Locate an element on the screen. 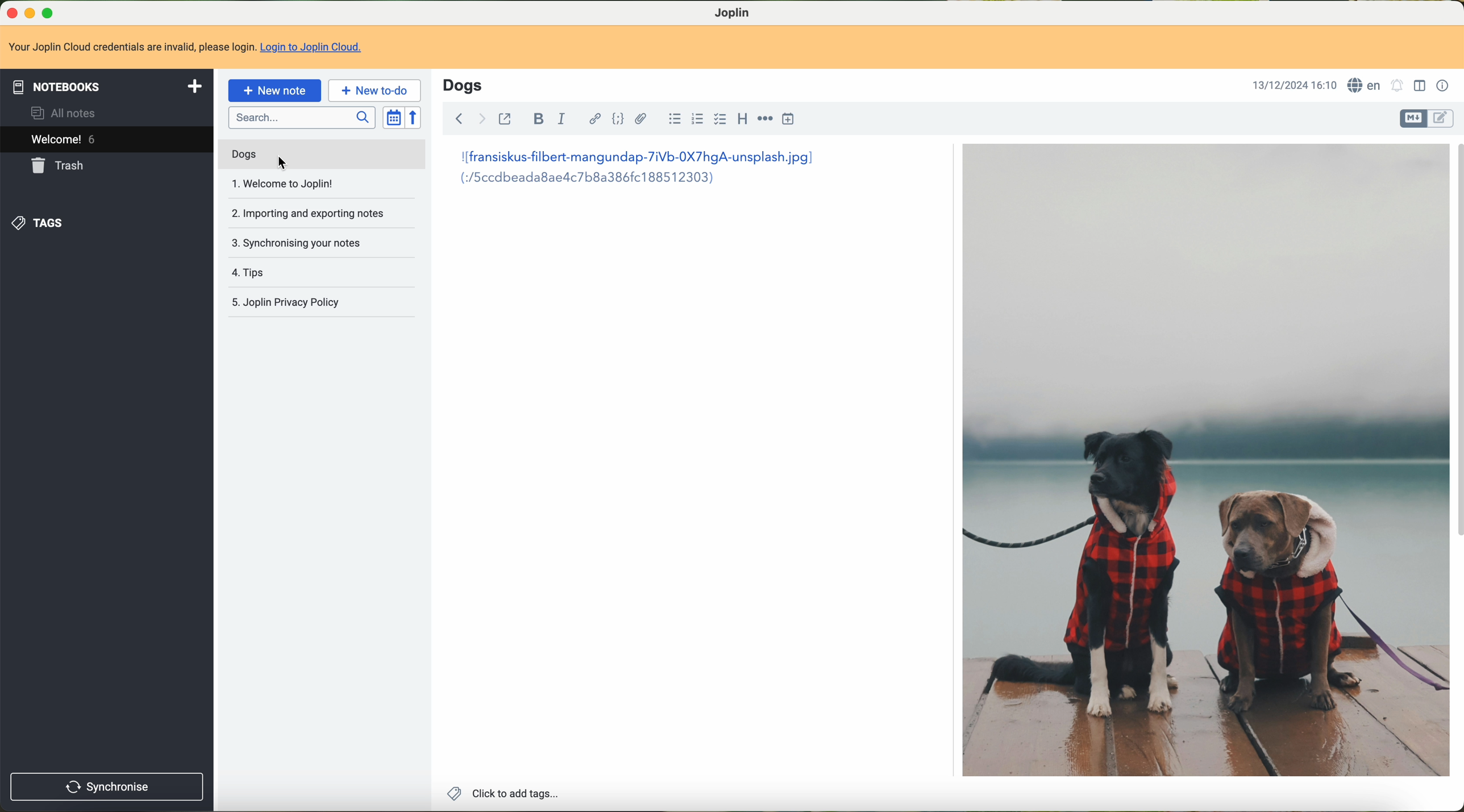 The image size is (1464, 812). dogs note is located at coordinates (243, 155).